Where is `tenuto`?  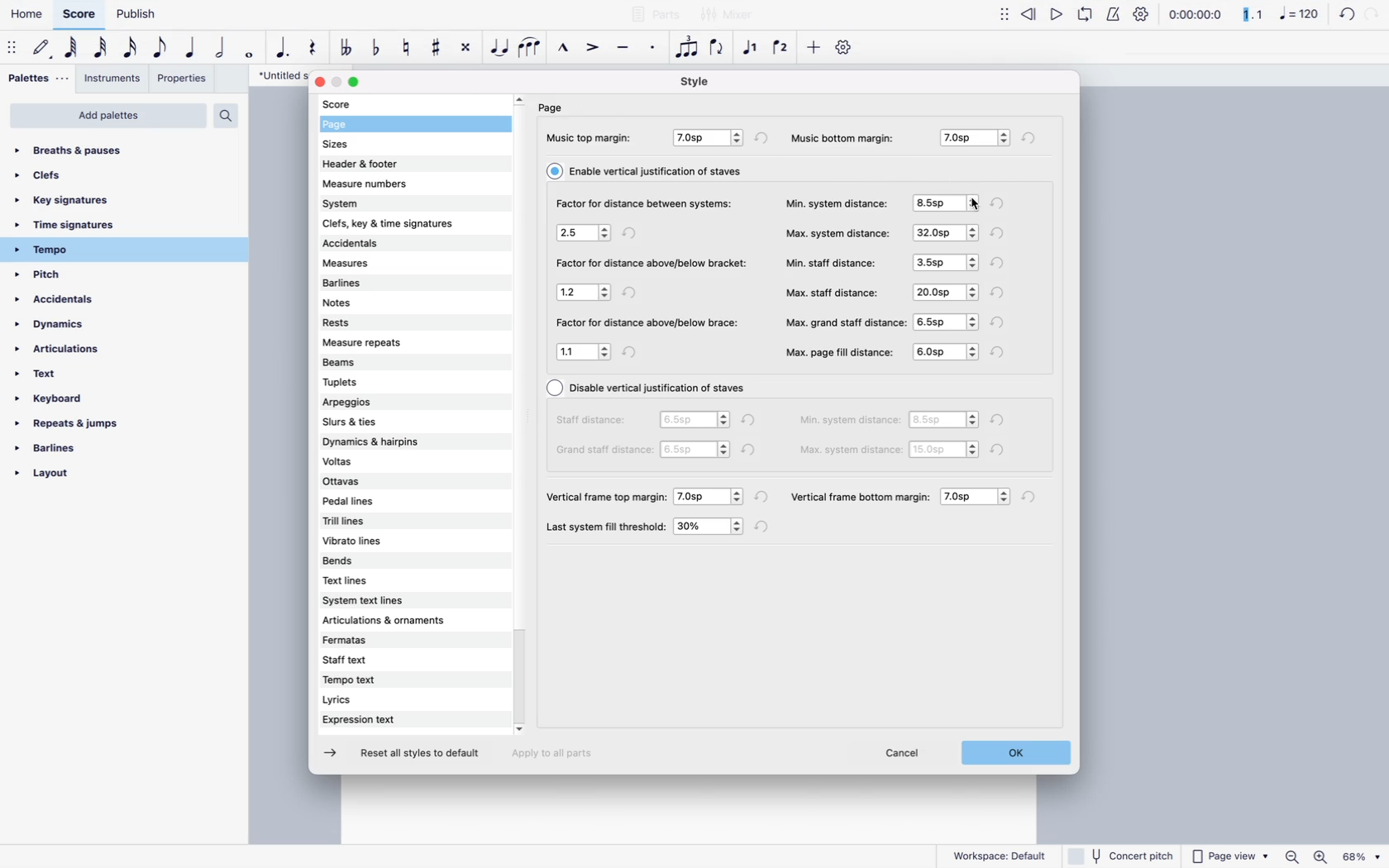 tenuto is located at coordinates (626, 48).